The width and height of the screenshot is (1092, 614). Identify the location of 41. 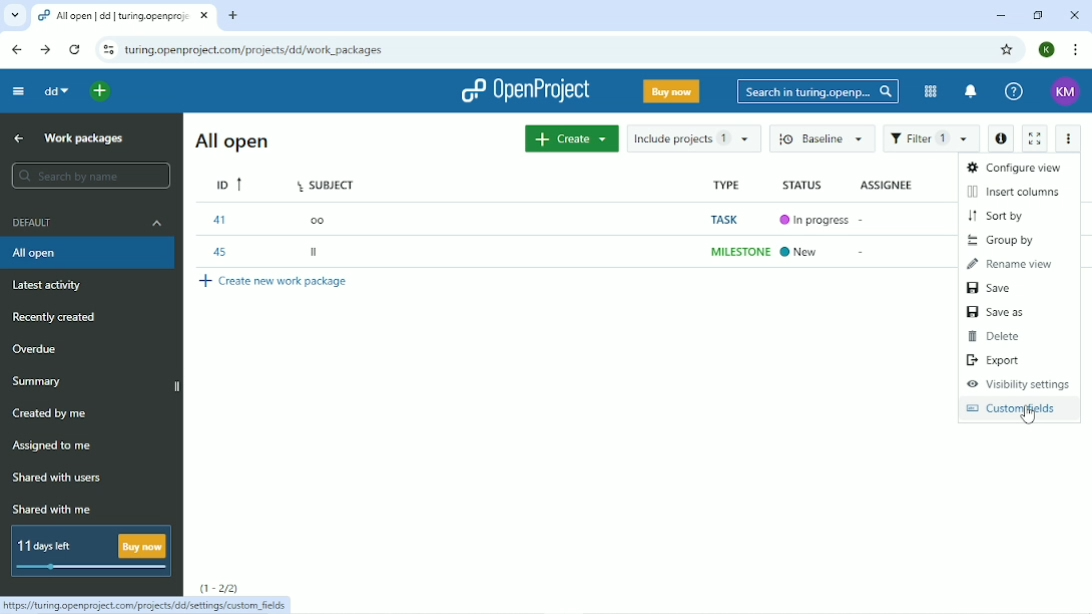
(223, 220).